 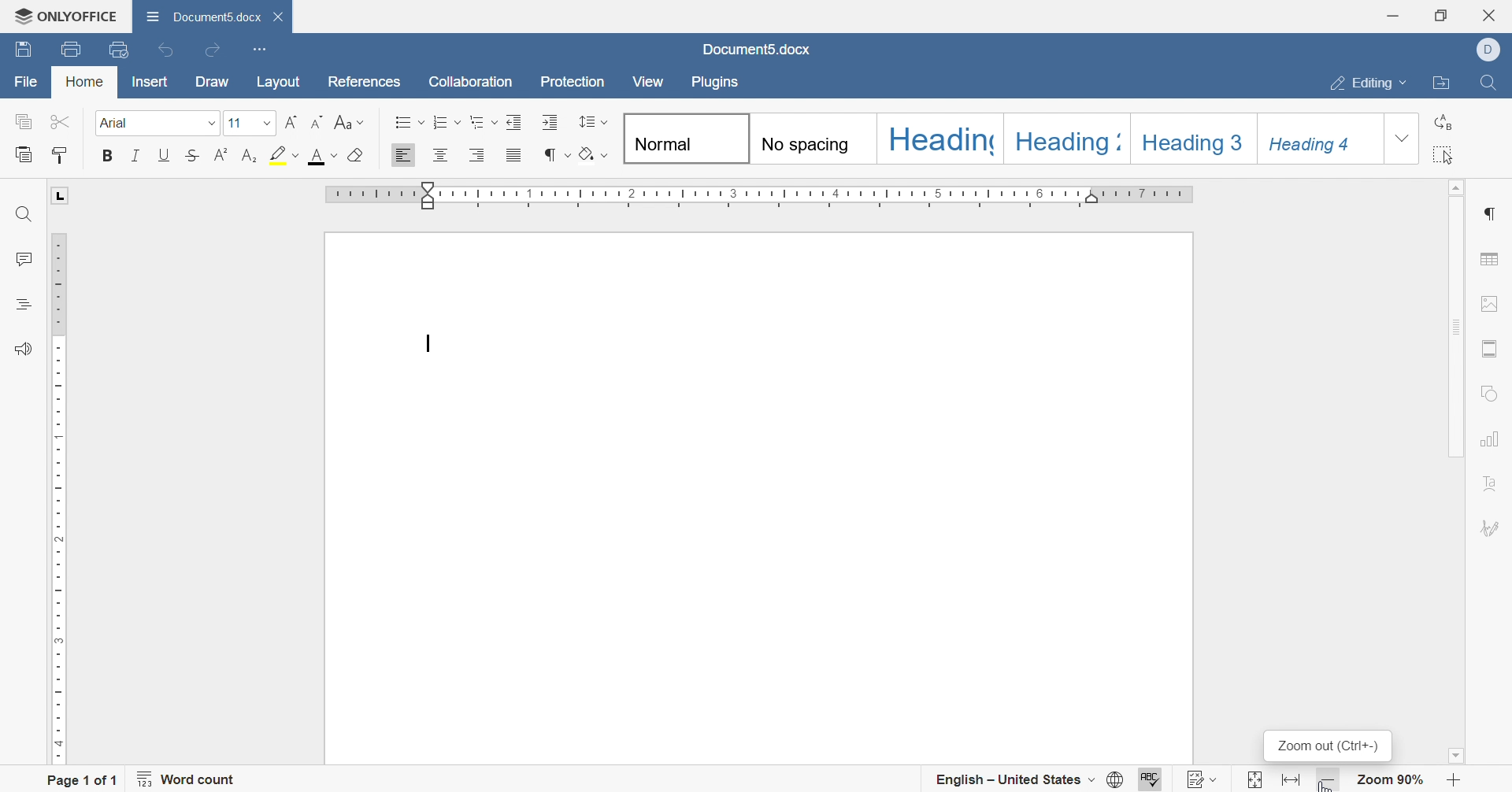 I want to click on Heading 2, so click(x=1062, y=138).